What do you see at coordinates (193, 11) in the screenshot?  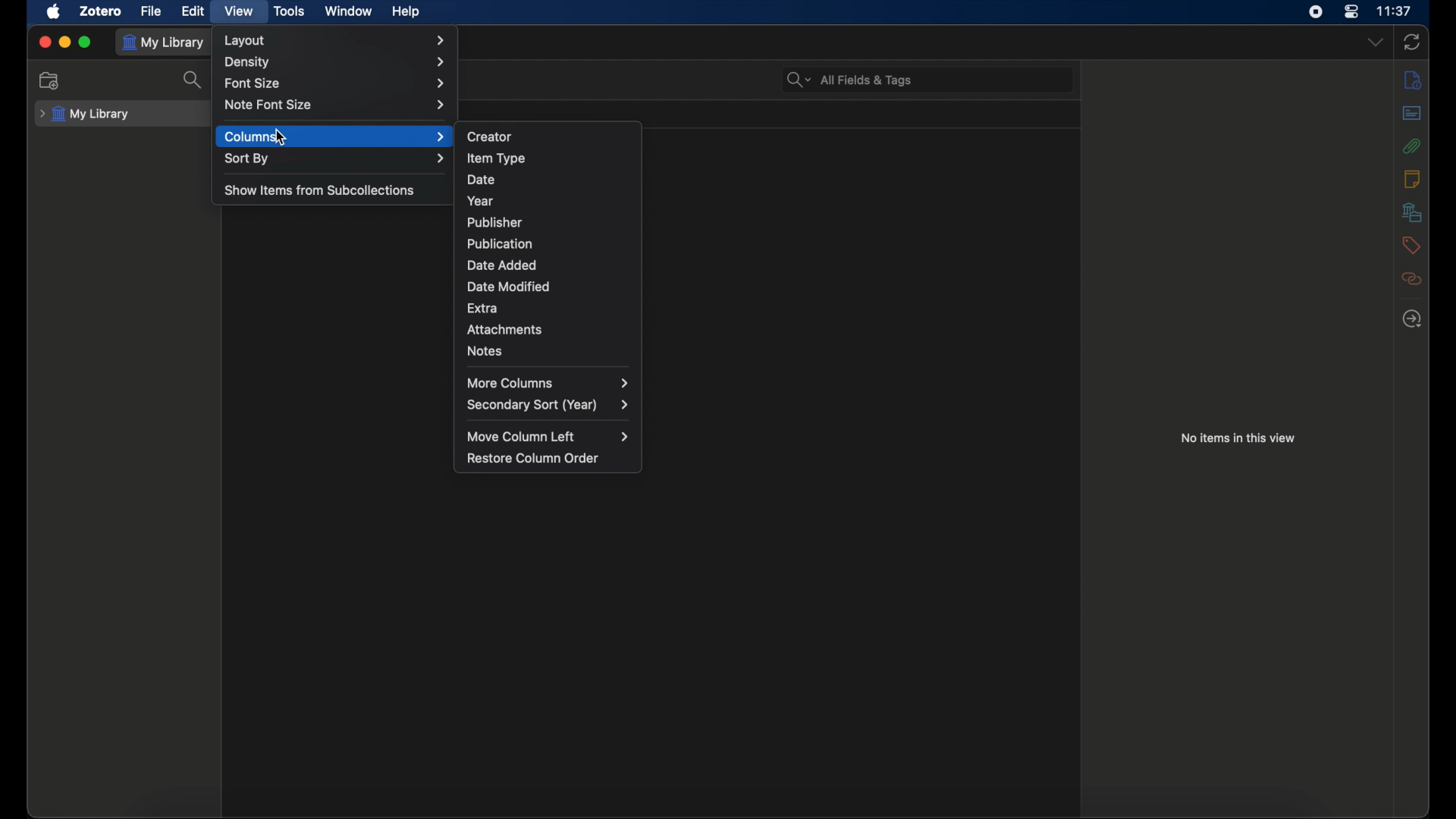 I see `edit` at bounding box center [193, 11].